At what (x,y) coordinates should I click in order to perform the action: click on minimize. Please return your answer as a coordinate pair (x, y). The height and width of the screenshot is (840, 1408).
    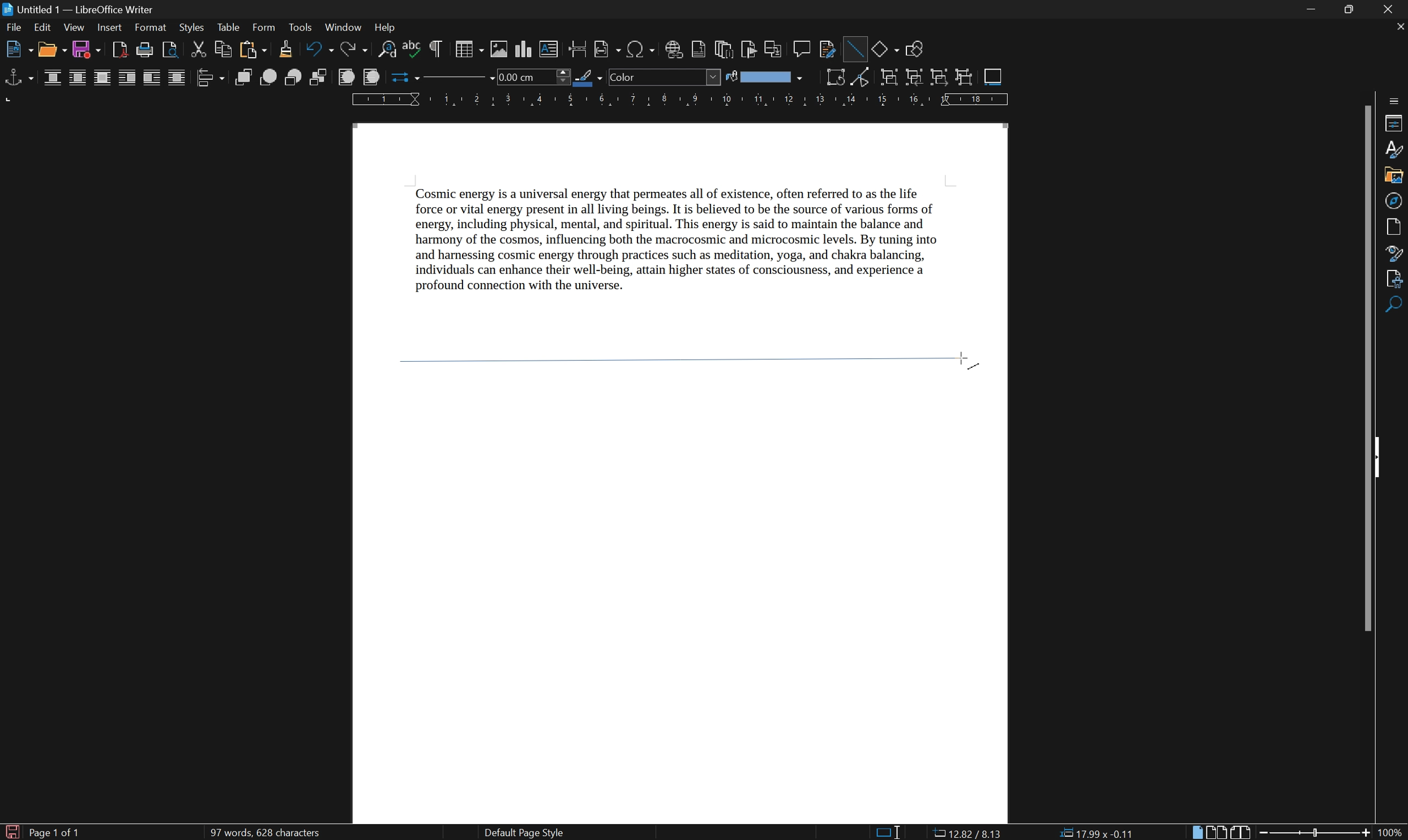
    Looking at the image, I should click on (1313, 10).